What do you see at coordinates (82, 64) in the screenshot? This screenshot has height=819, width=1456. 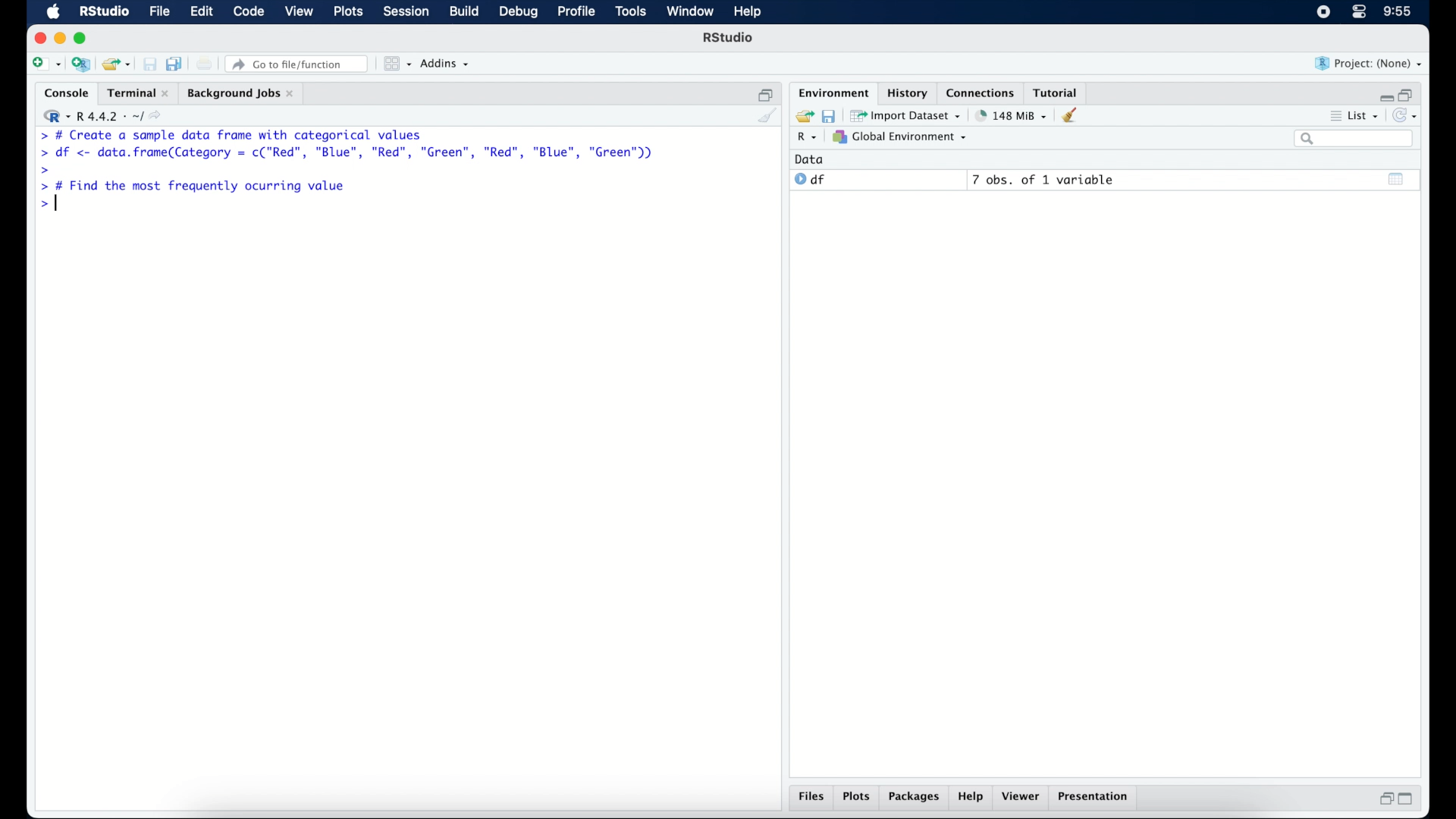 I see `create a project` at bounding box center [82, 64].